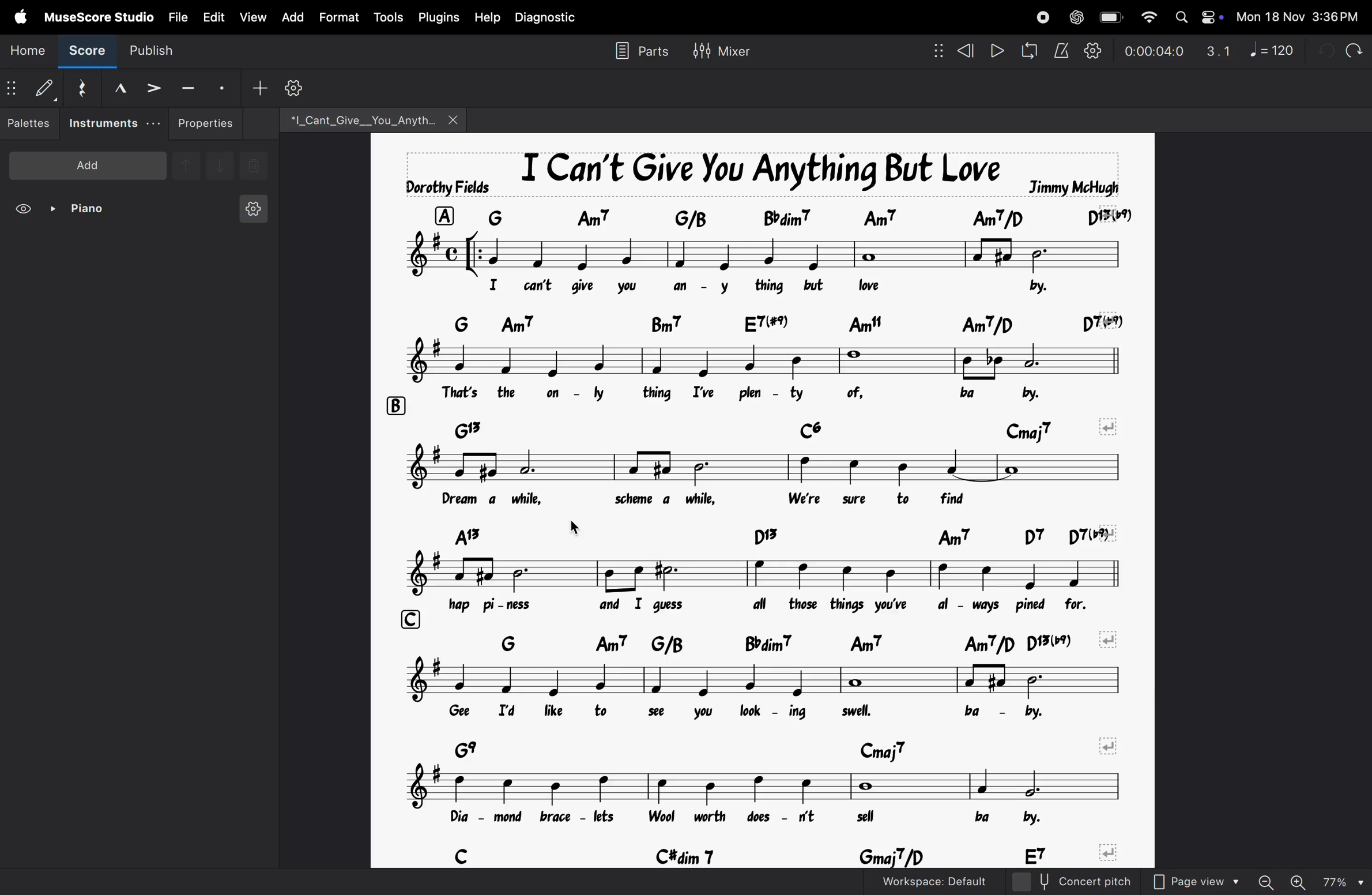 Image resolution: width=1372 pixels, height=895 pixels. I want to click on loop playback, so click(1030, 51).